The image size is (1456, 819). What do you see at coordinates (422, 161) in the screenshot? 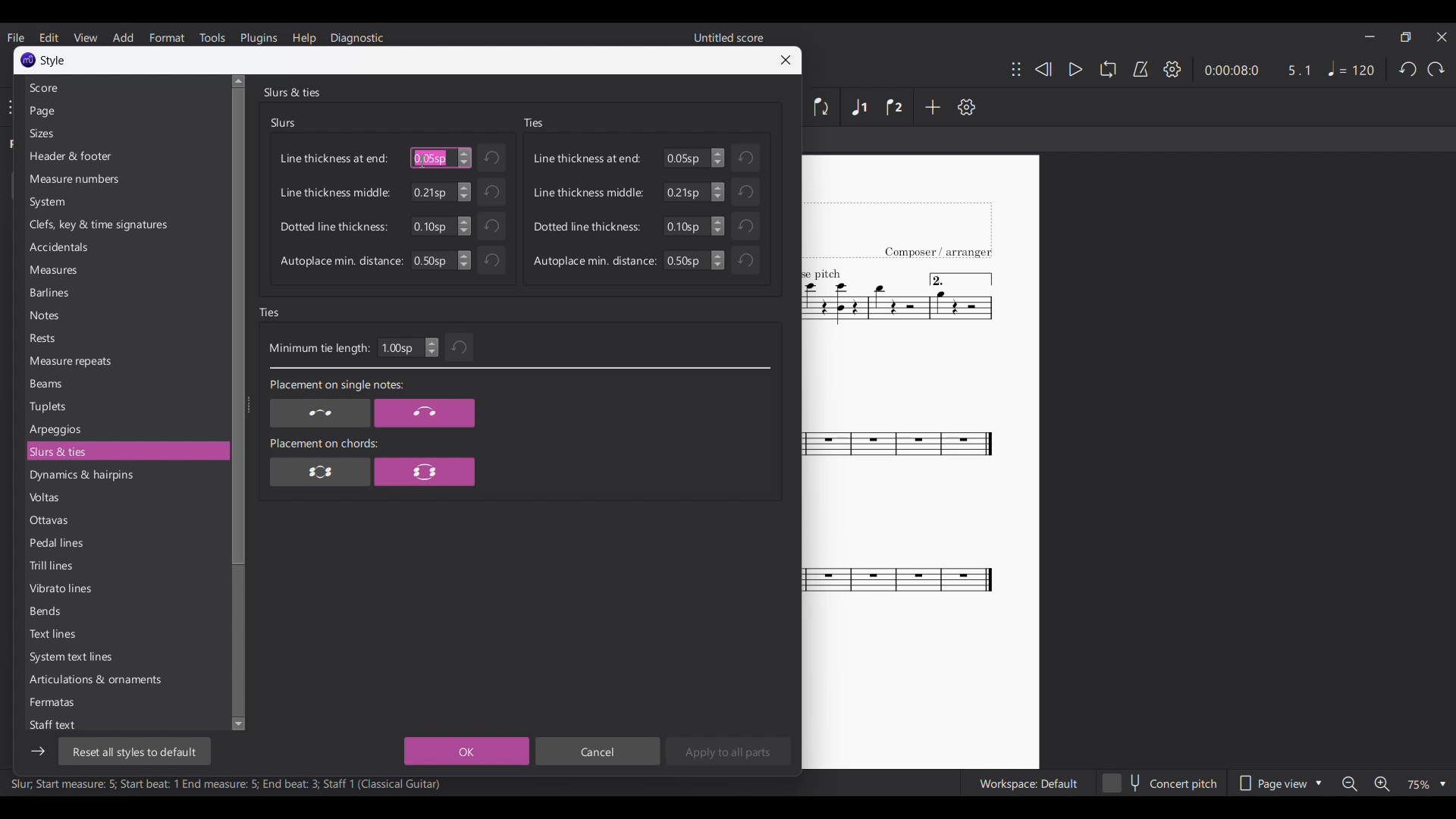
I see `Cursor` at bounding box center [422, 161].